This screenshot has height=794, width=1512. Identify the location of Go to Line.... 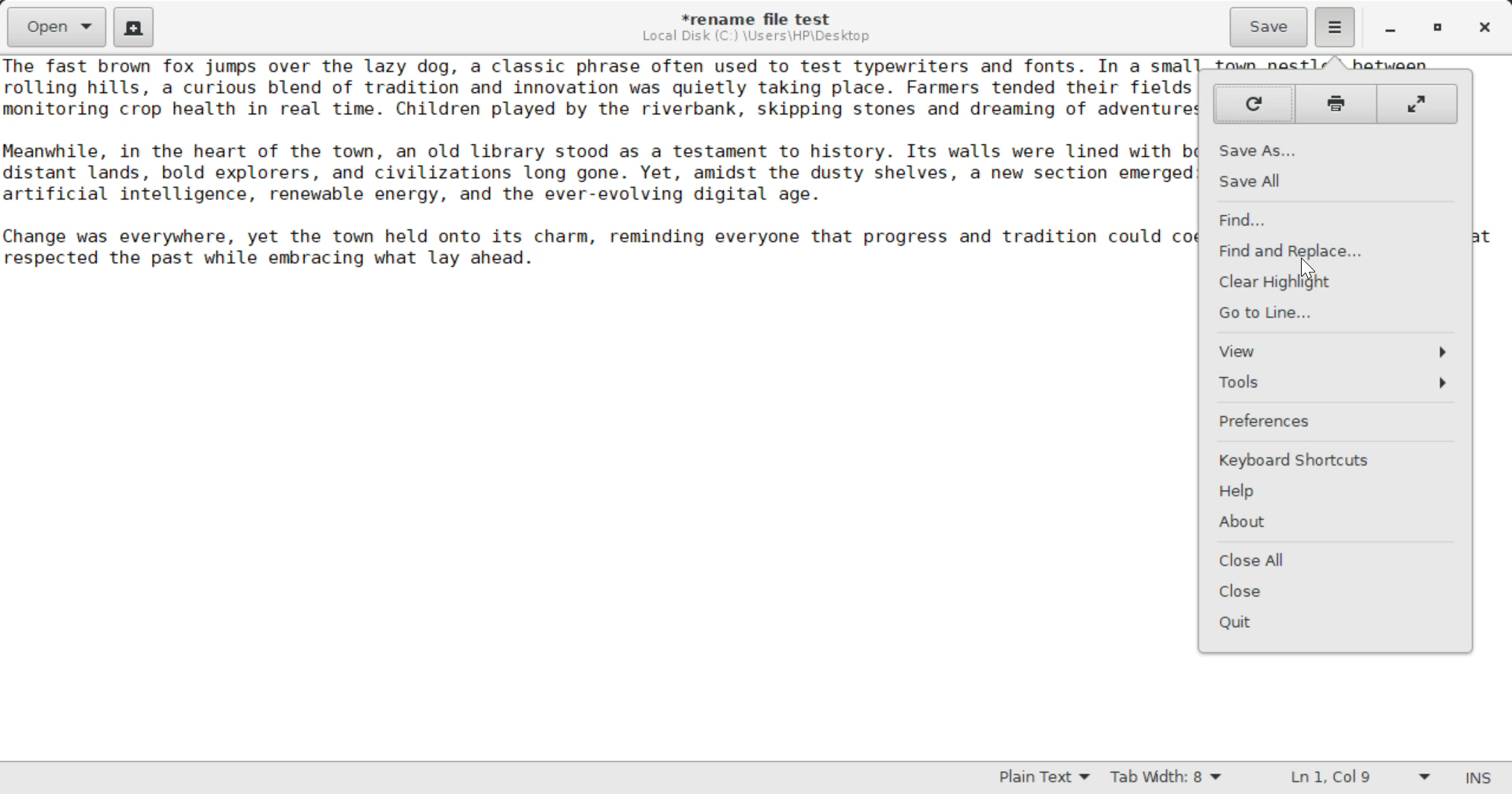
(1333, 314).